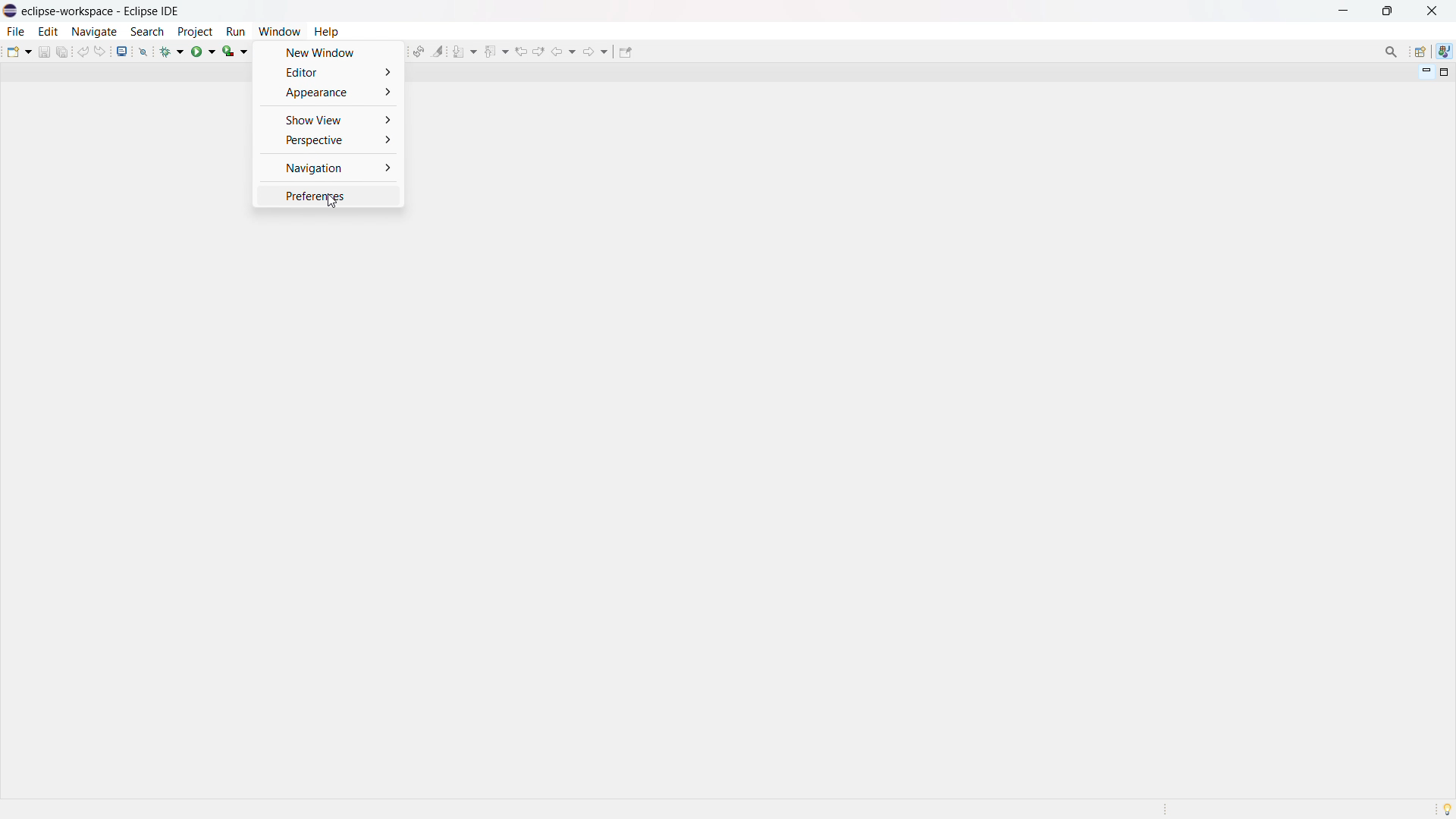 Image resolution: width=1456 pixels, height=819 pixels. What do you see at coordinates (625, 52) in the screenshot?
I see `pin editor` at bounding box center [625, 52].